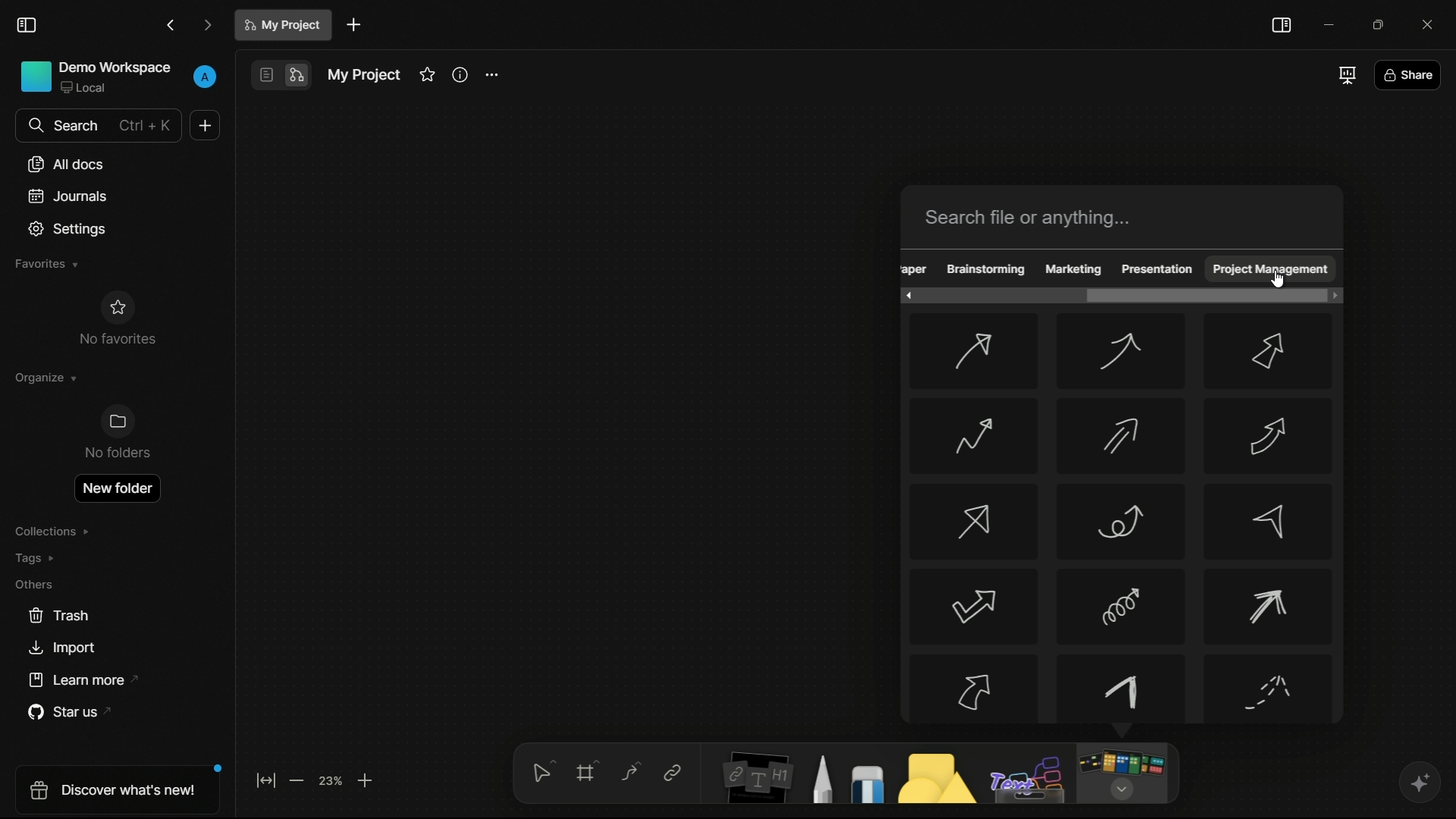 This screenshot has height=819, width=1456. What do you see at coordinates (68, 196) in the screenshot?
I see `journals` at bounding box center [68, 196].